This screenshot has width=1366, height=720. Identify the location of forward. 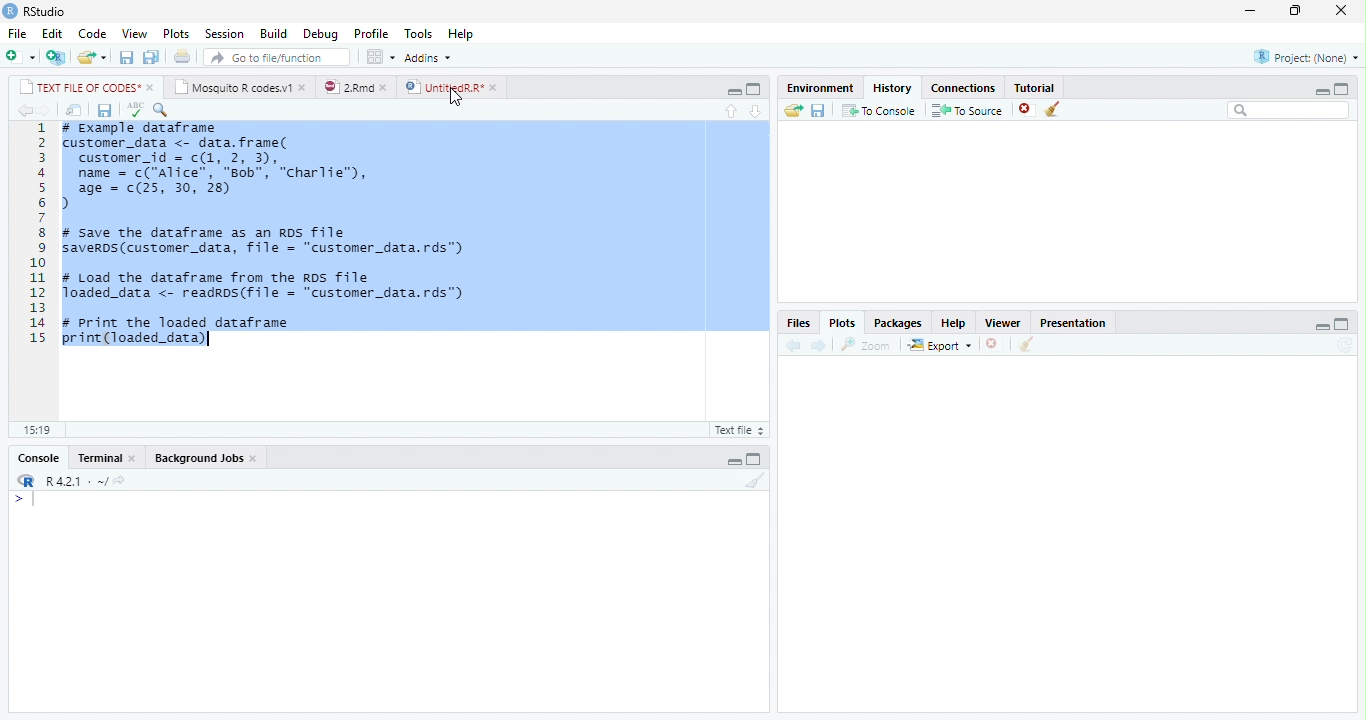
(817, 345).